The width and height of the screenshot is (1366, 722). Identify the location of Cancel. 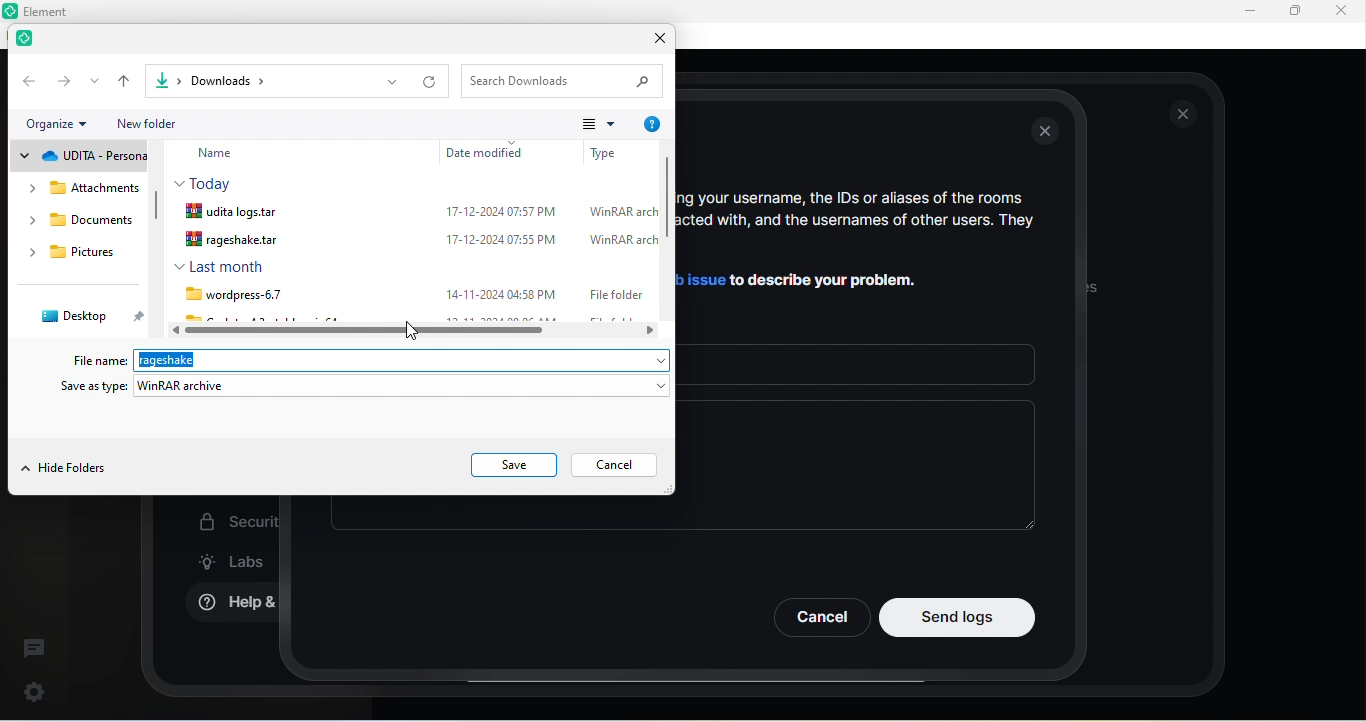
(820, 617).